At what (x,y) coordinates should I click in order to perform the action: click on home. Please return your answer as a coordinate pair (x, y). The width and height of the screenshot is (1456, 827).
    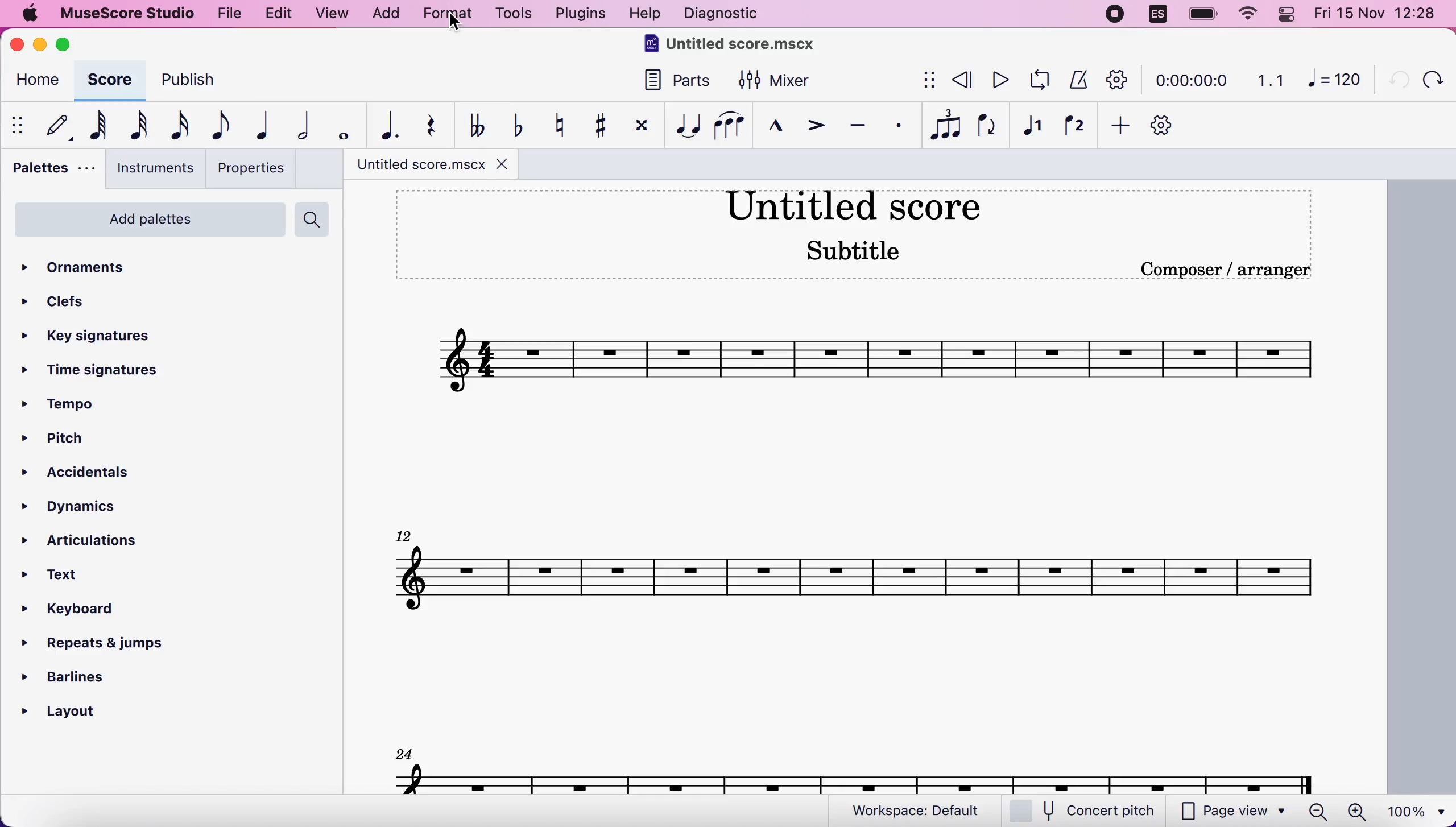
    Looking at the image, I should click on (35, 82).